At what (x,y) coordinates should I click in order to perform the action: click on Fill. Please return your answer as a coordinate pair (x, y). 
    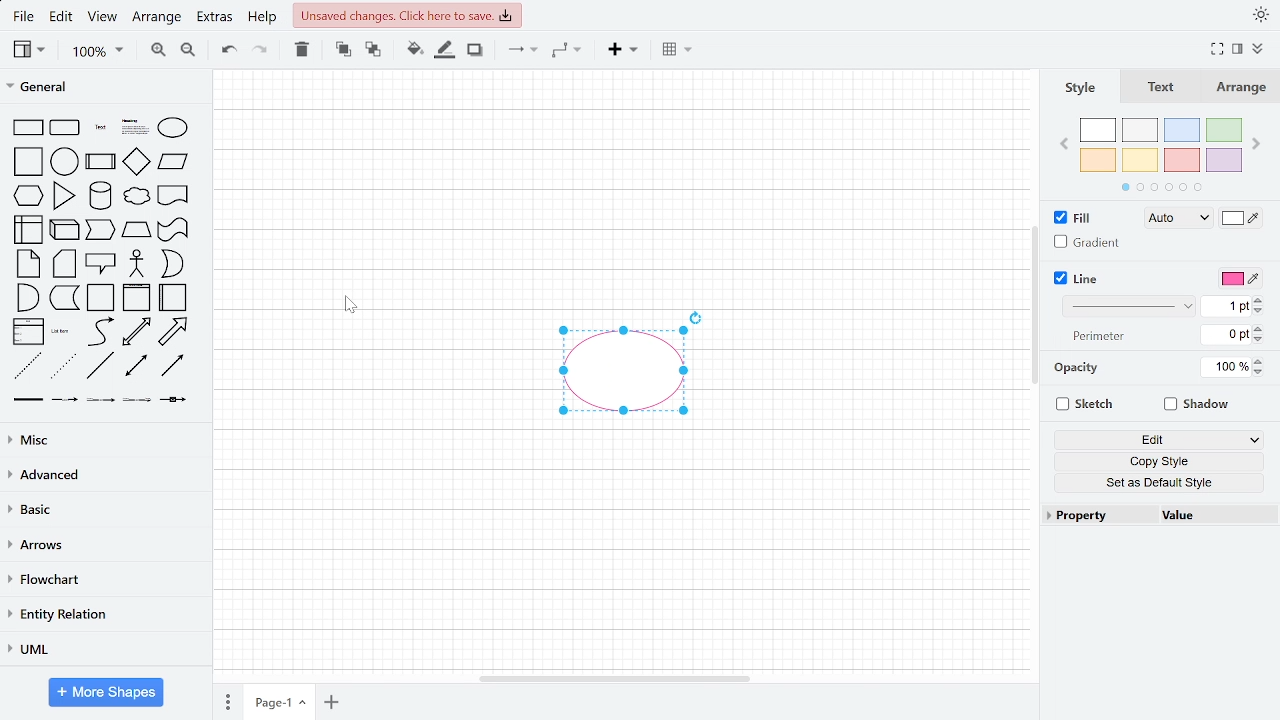
    Looking at the image, I should click on (1070, 218).